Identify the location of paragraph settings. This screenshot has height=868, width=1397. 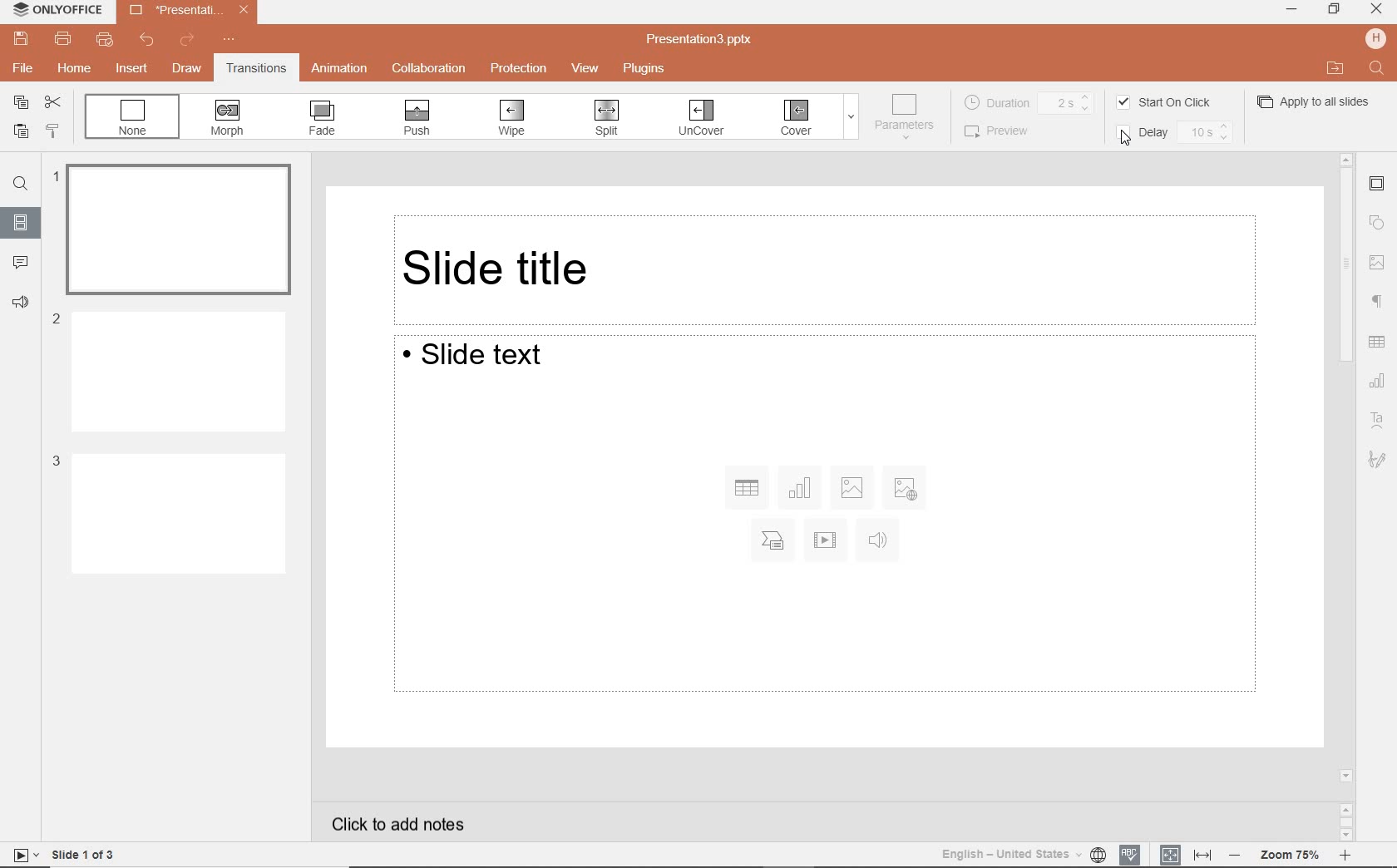
(1380, 302).